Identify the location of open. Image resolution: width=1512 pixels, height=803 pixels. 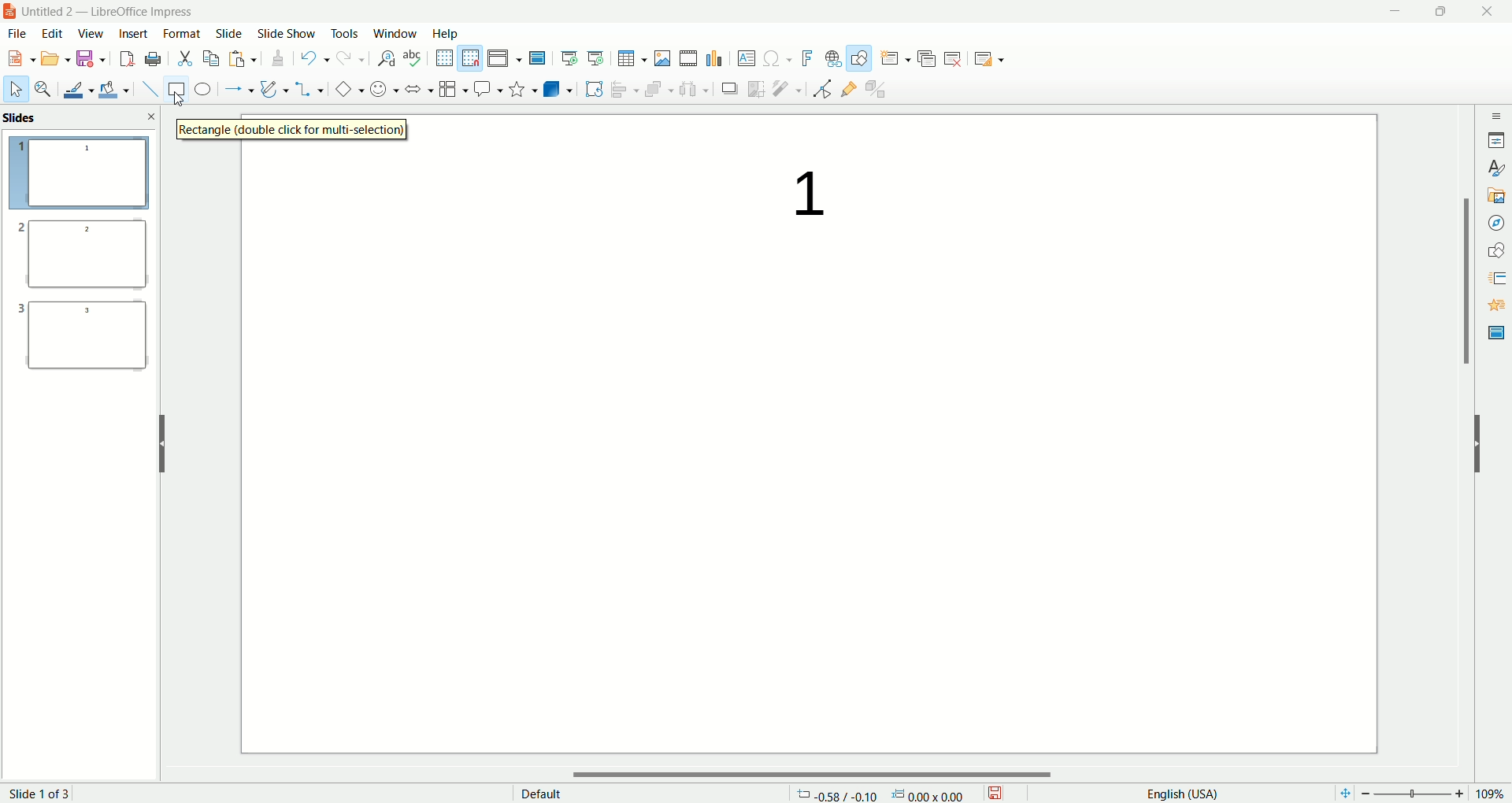
(57, 60).